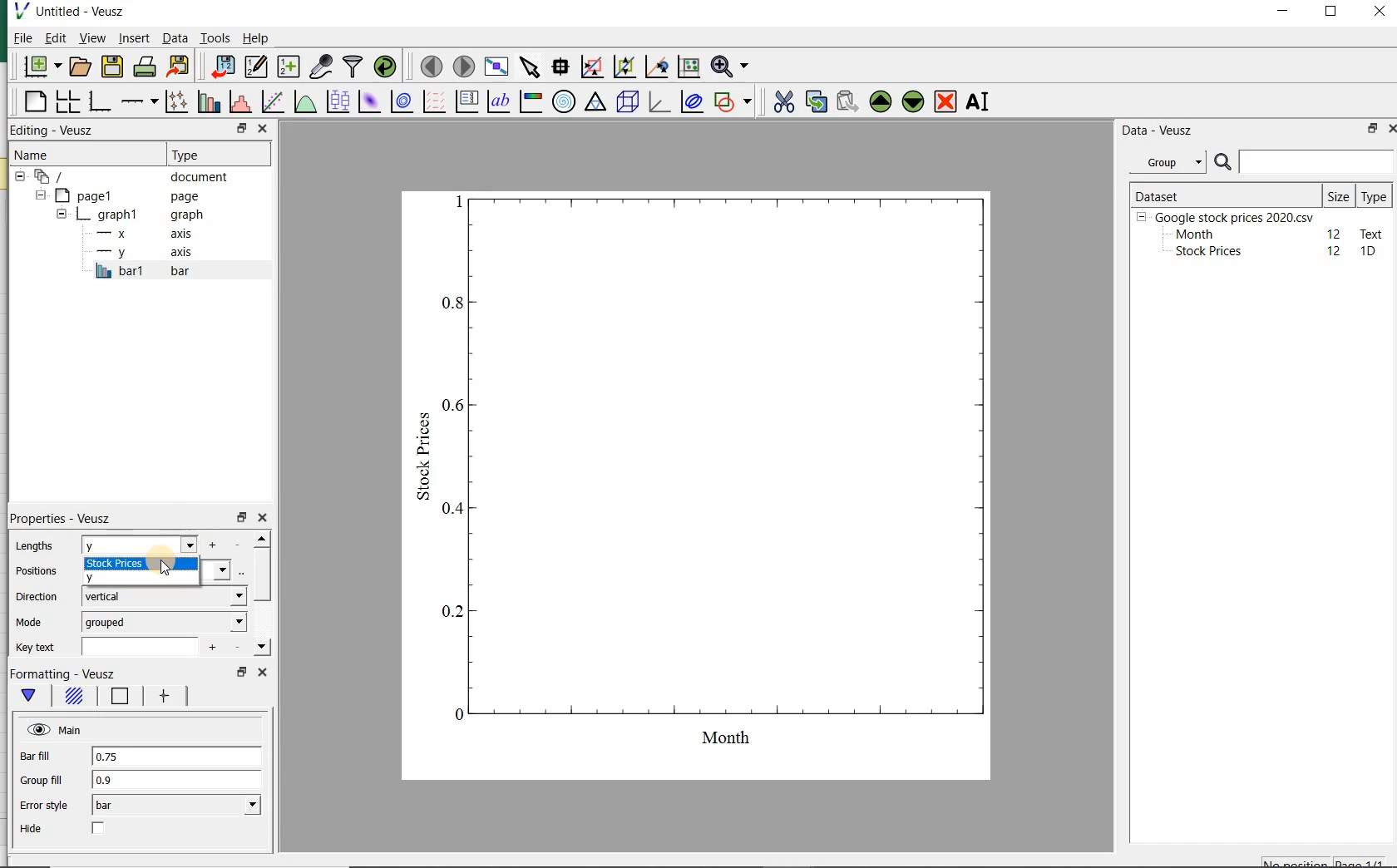  Describe the element at coordinates (733, 67) in the screenshot. I see `zoom function menus` at that location.